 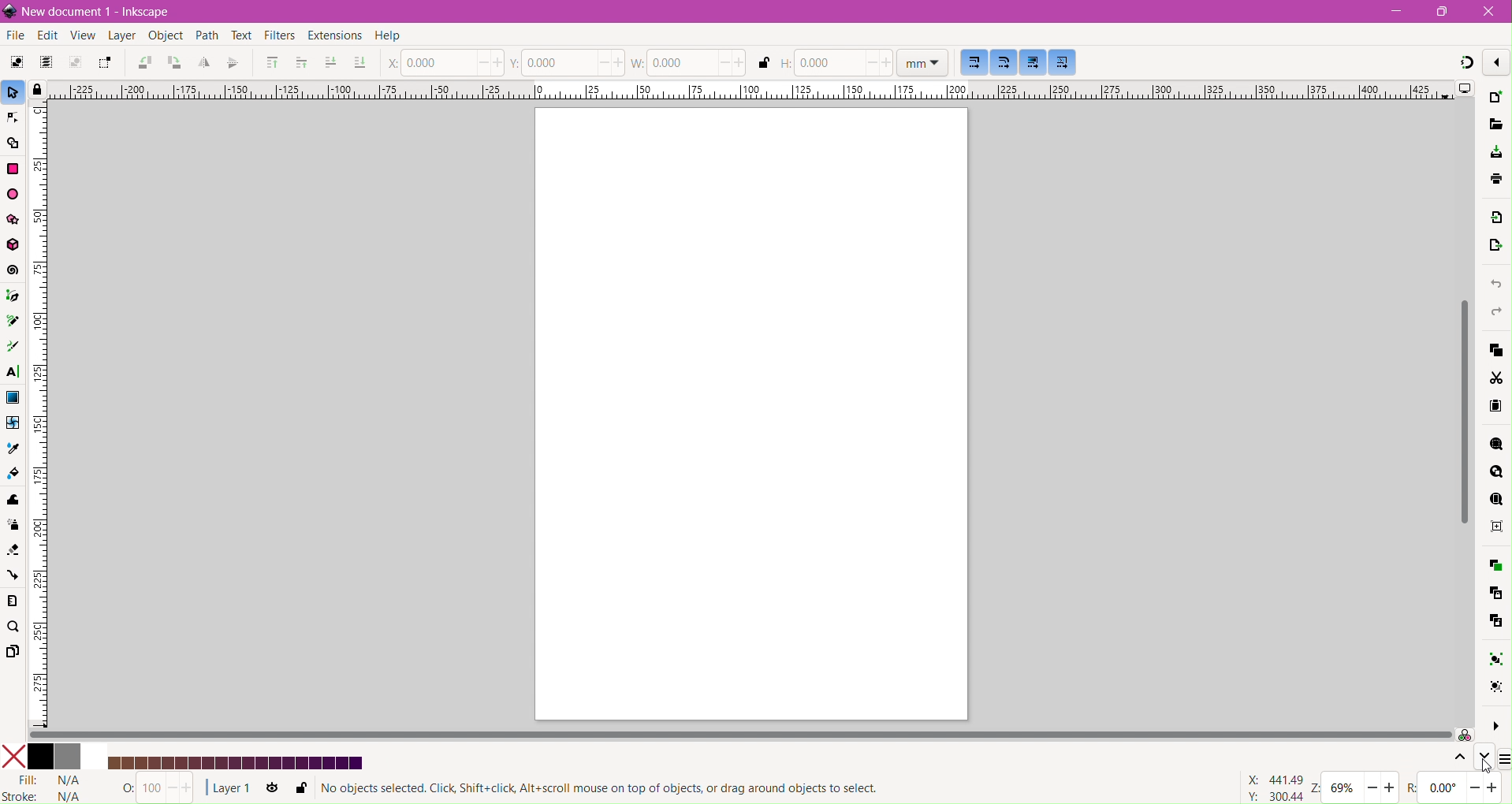 I want to click on Select All in All Layers, so click(x=45, y=63).